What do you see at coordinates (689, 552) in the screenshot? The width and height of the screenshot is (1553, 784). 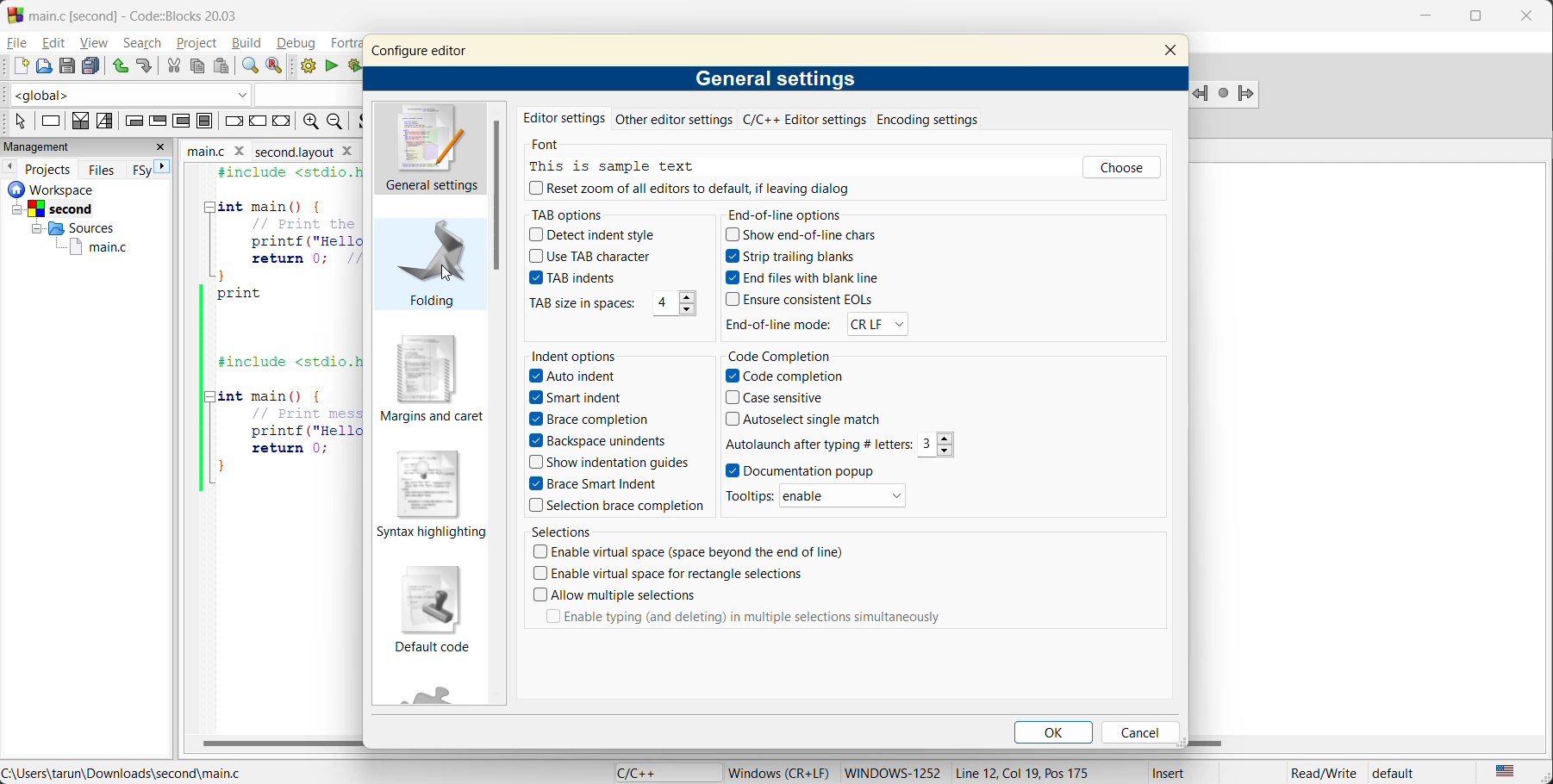 I see `Enable virtual space (space beyond the end of line)` at bounding box center [689, 552].